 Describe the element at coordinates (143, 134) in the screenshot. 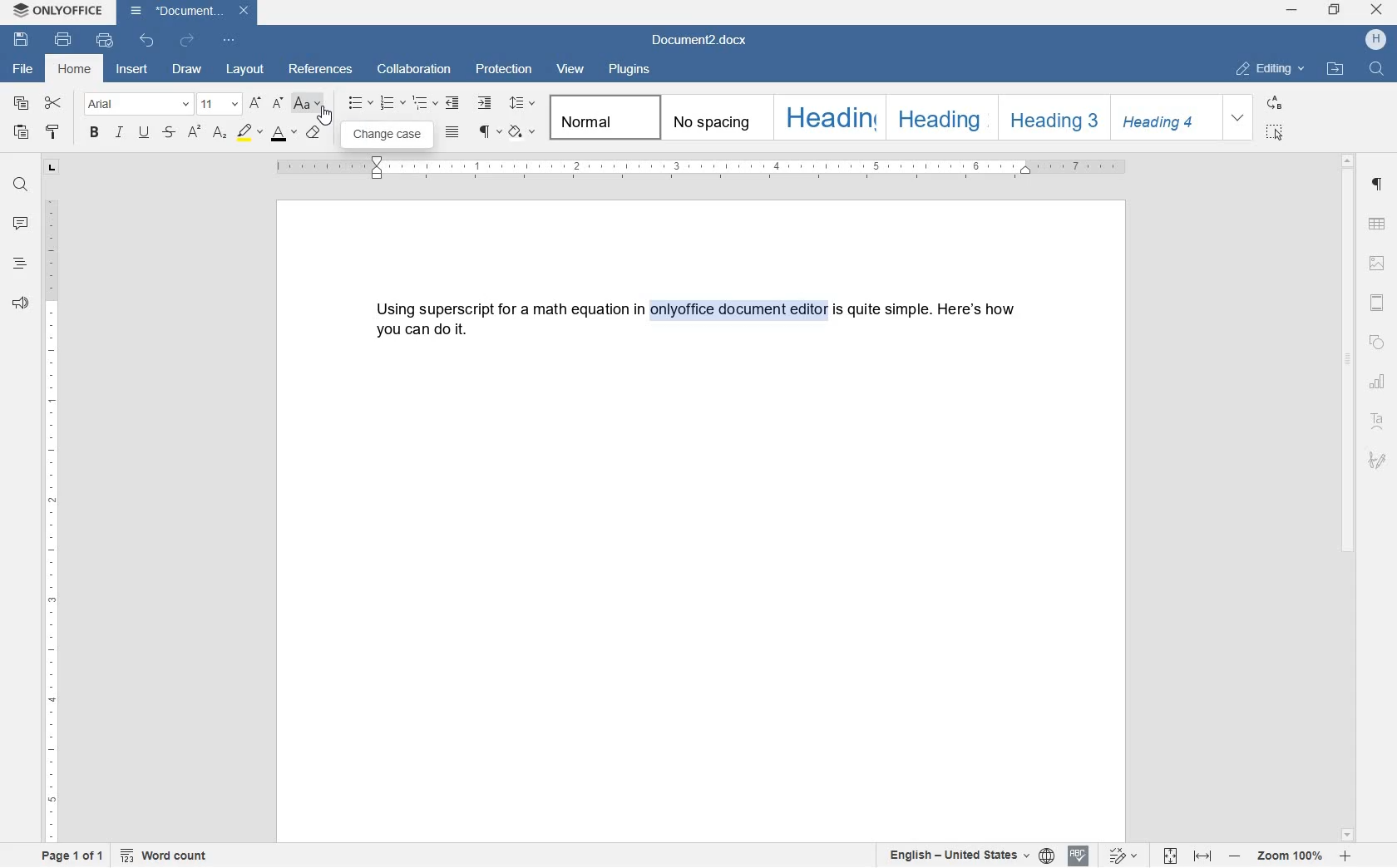

I see `underline` at that location.